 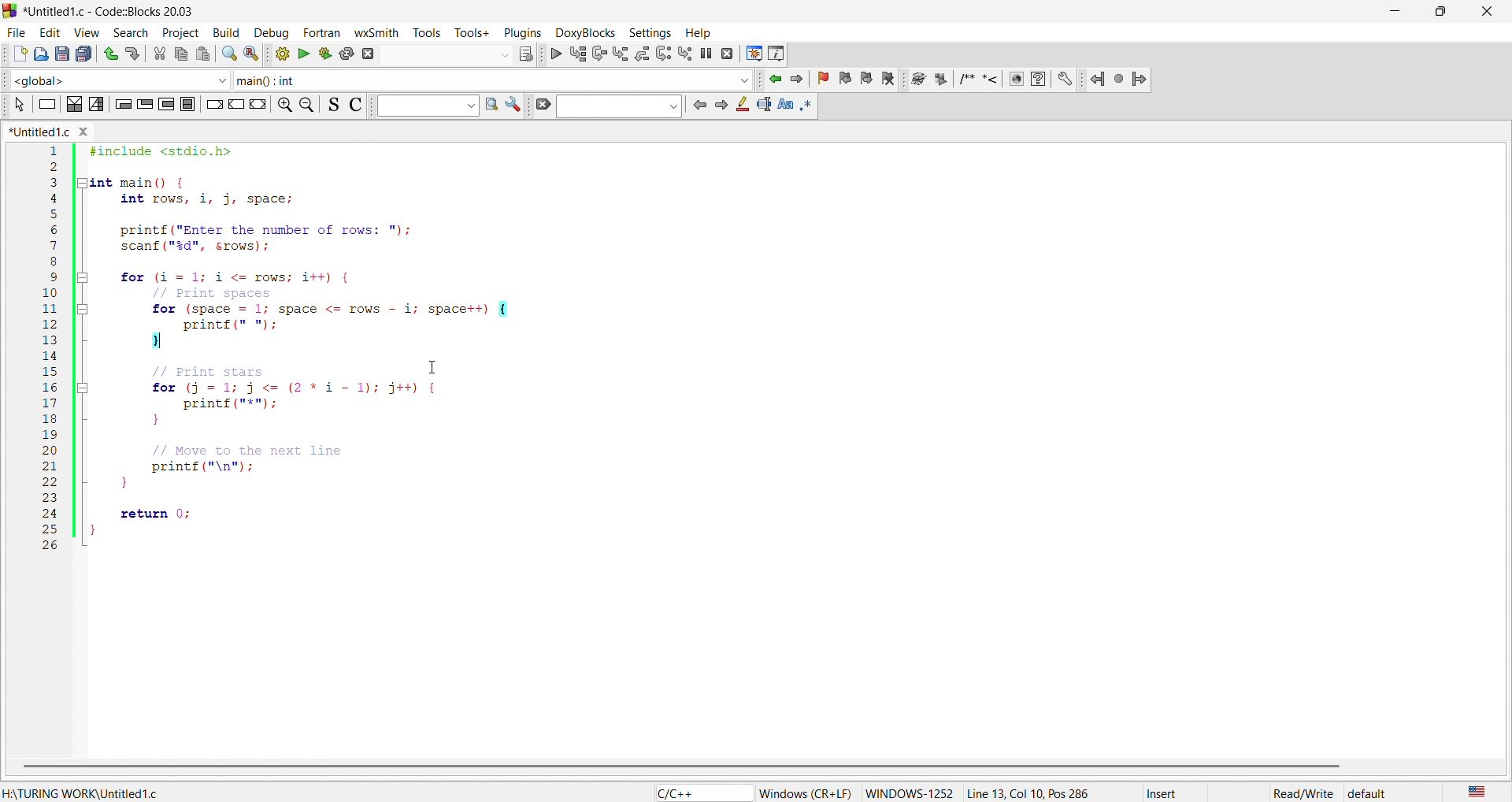 I want to click on C/C++, so click(x=702, y=793).